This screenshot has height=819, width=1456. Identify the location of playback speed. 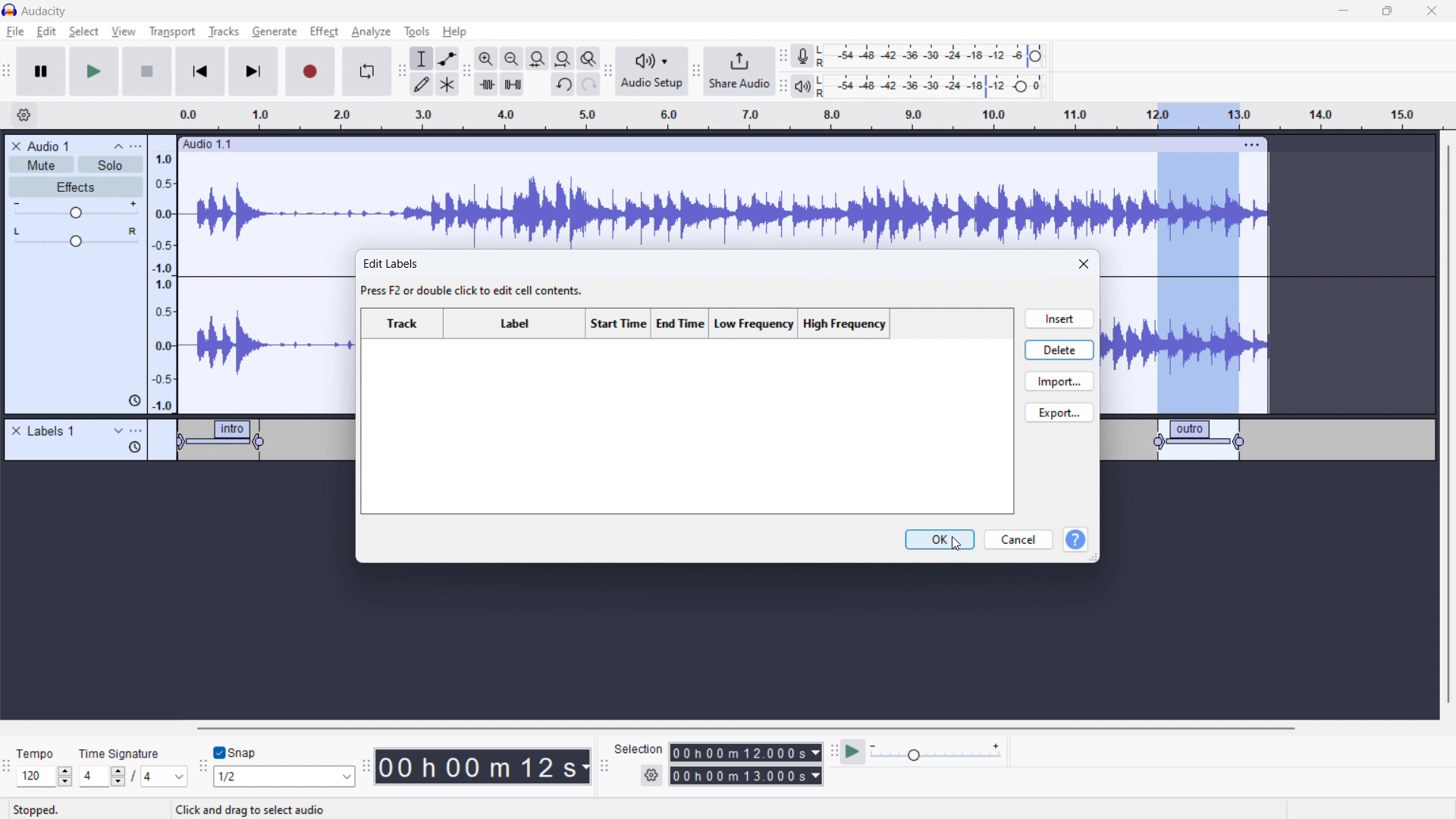
(935, 752).